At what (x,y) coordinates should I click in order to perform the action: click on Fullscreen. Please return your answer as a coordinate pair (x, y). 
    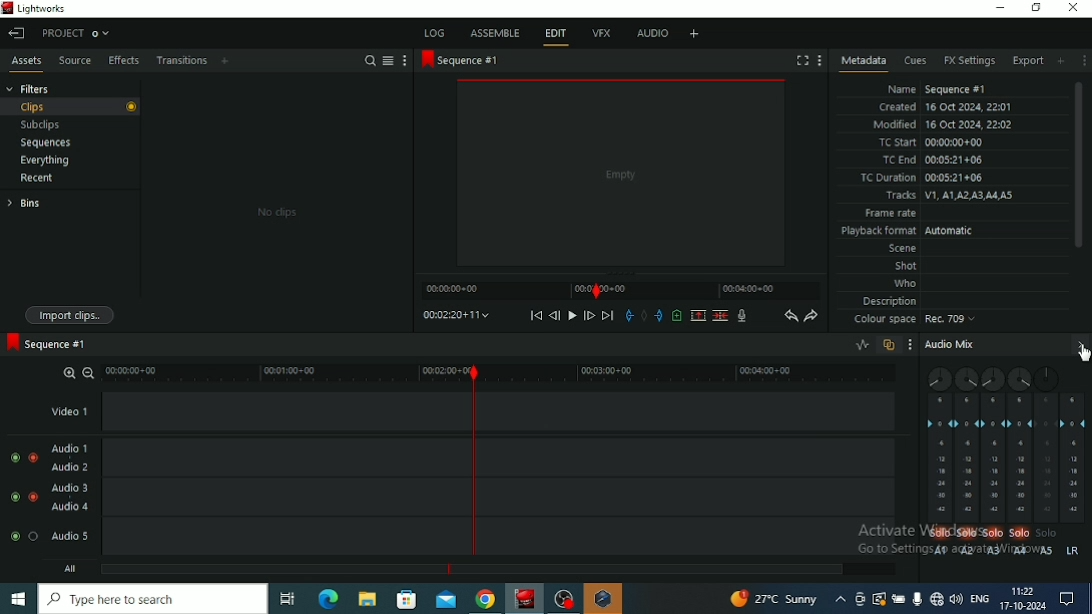
    Looking at the image, I should click on (802, 60).